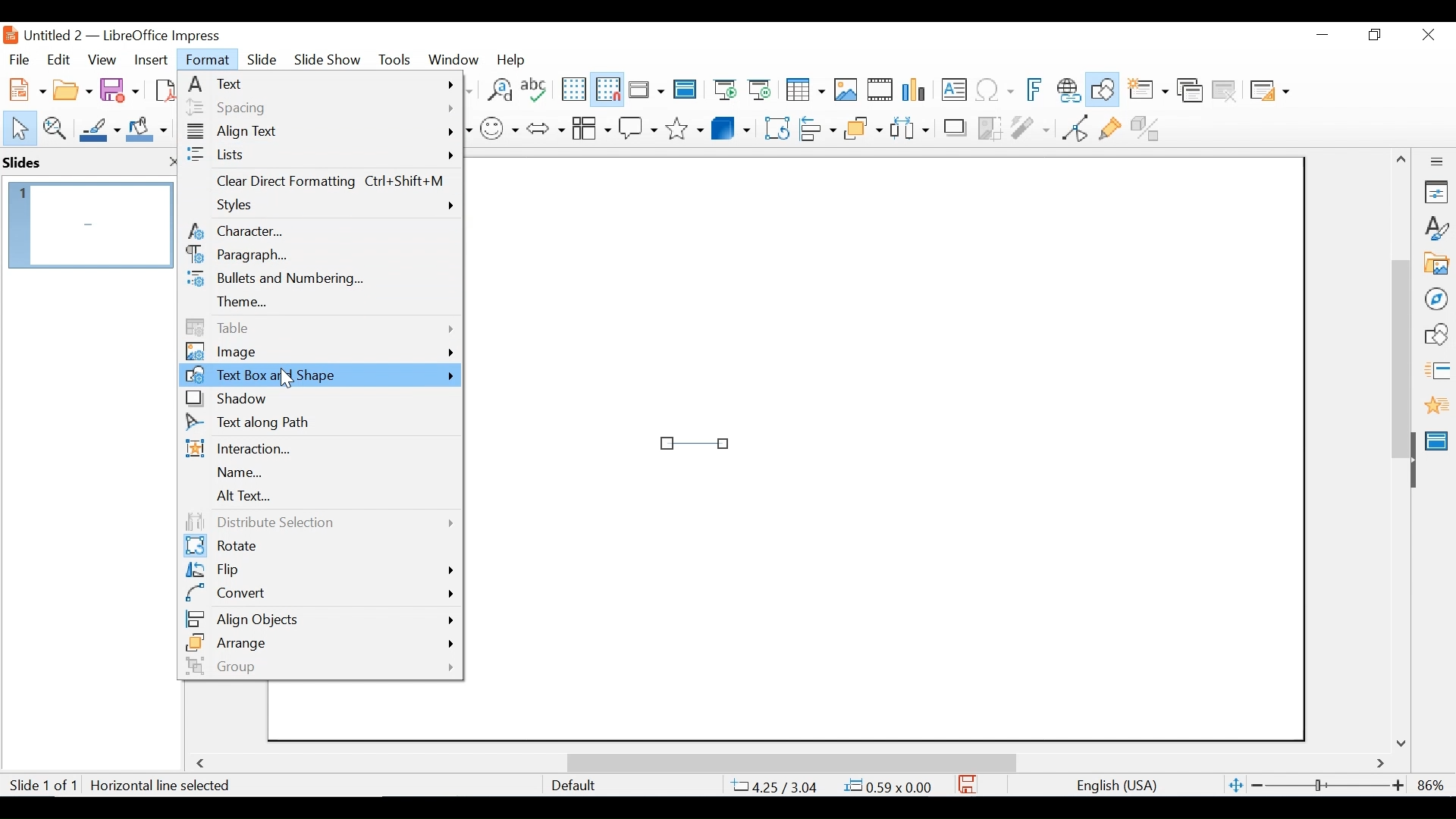 The image size is (1456, 819). I want to click on Slide Layout, so click(1268, 92).